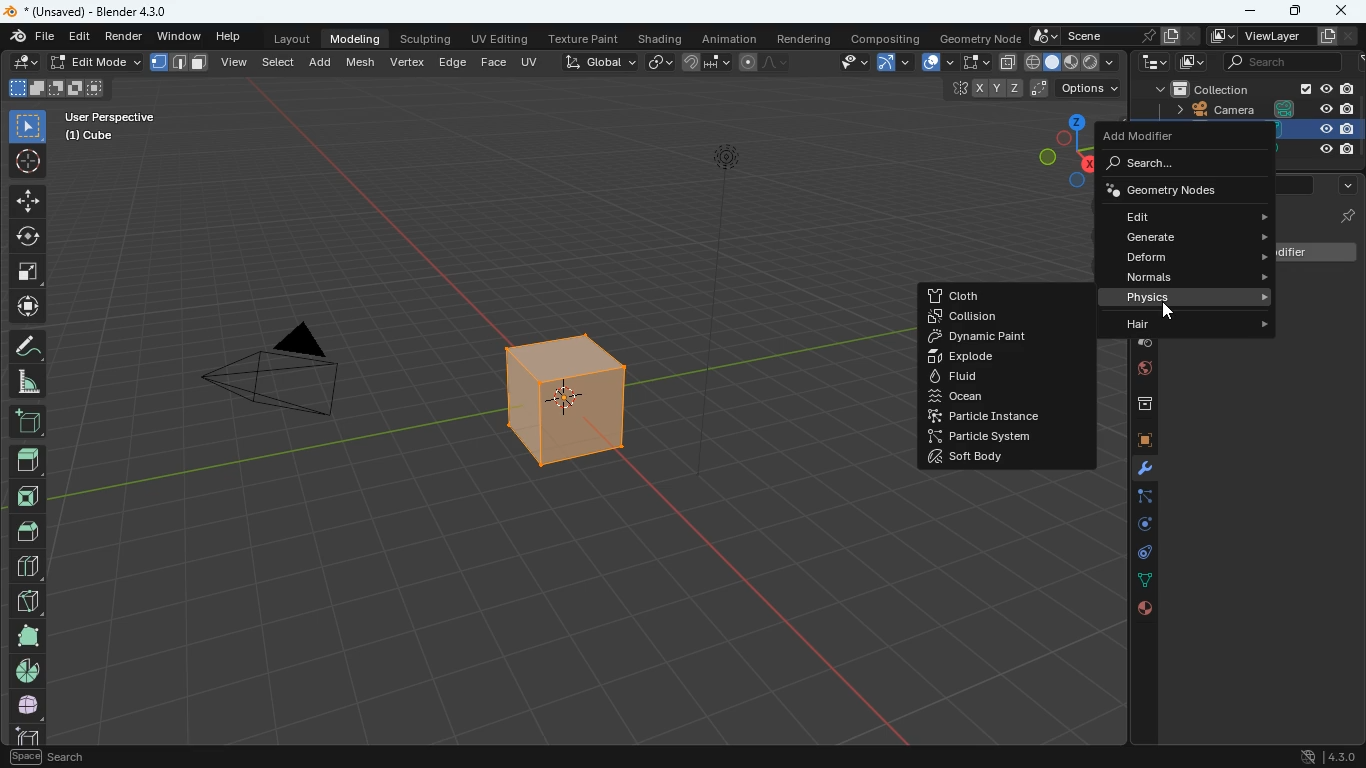 Image resolution: width=1366 pixels, height=768 pixels. Describe the element at coordinates (1203, 278) in the screenshot. I see `normals` at that location.